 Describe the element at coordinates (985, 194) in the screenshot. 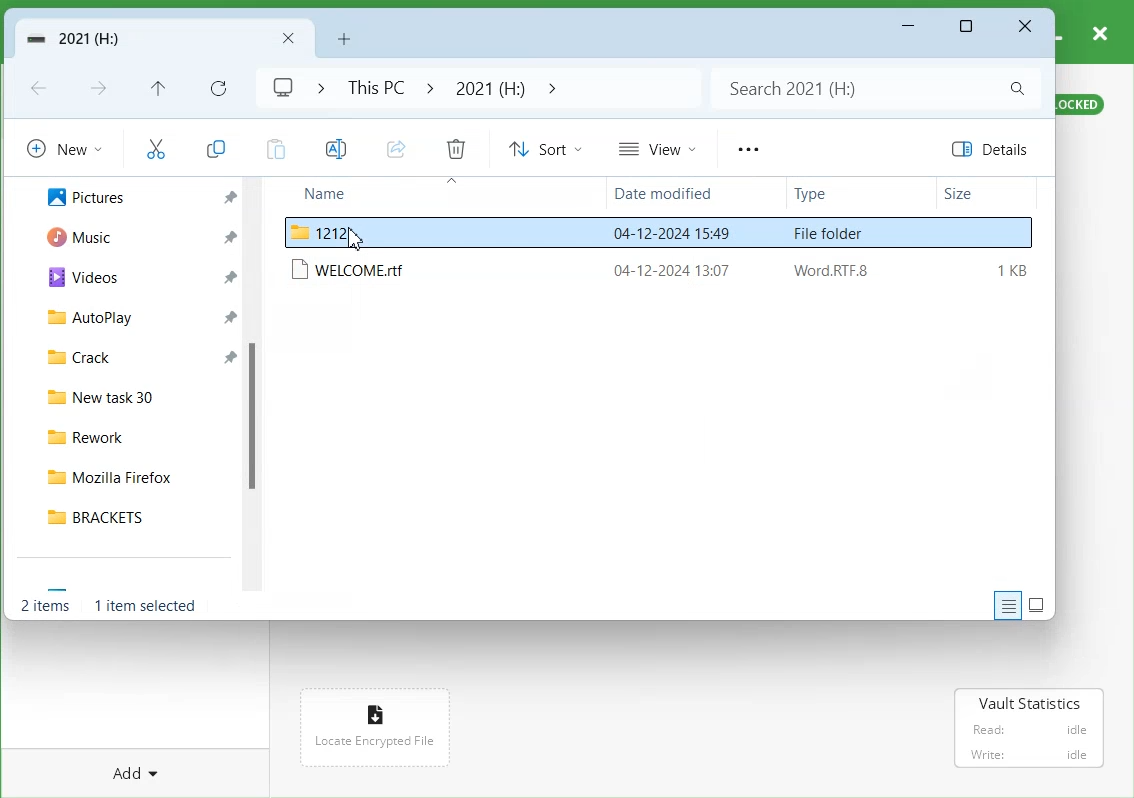

I see `Size` at that location.